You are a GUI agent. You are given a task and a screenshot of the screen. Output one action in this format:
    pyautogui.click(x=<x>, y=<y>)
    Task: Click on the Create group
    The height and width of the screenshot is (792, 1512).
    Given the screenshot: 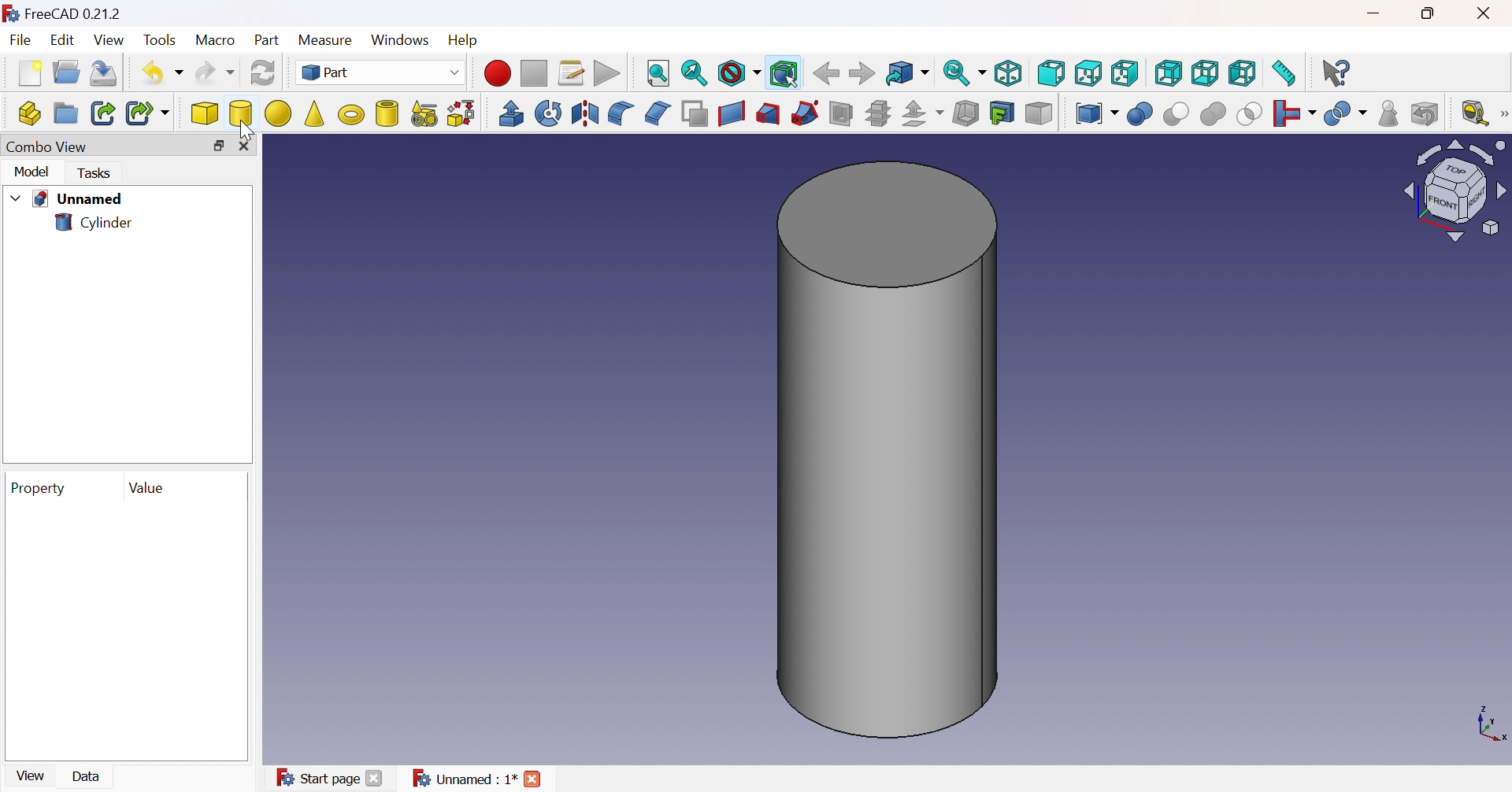 What is the action you would take?
    pyautogui.click(x=65, y=113)
    